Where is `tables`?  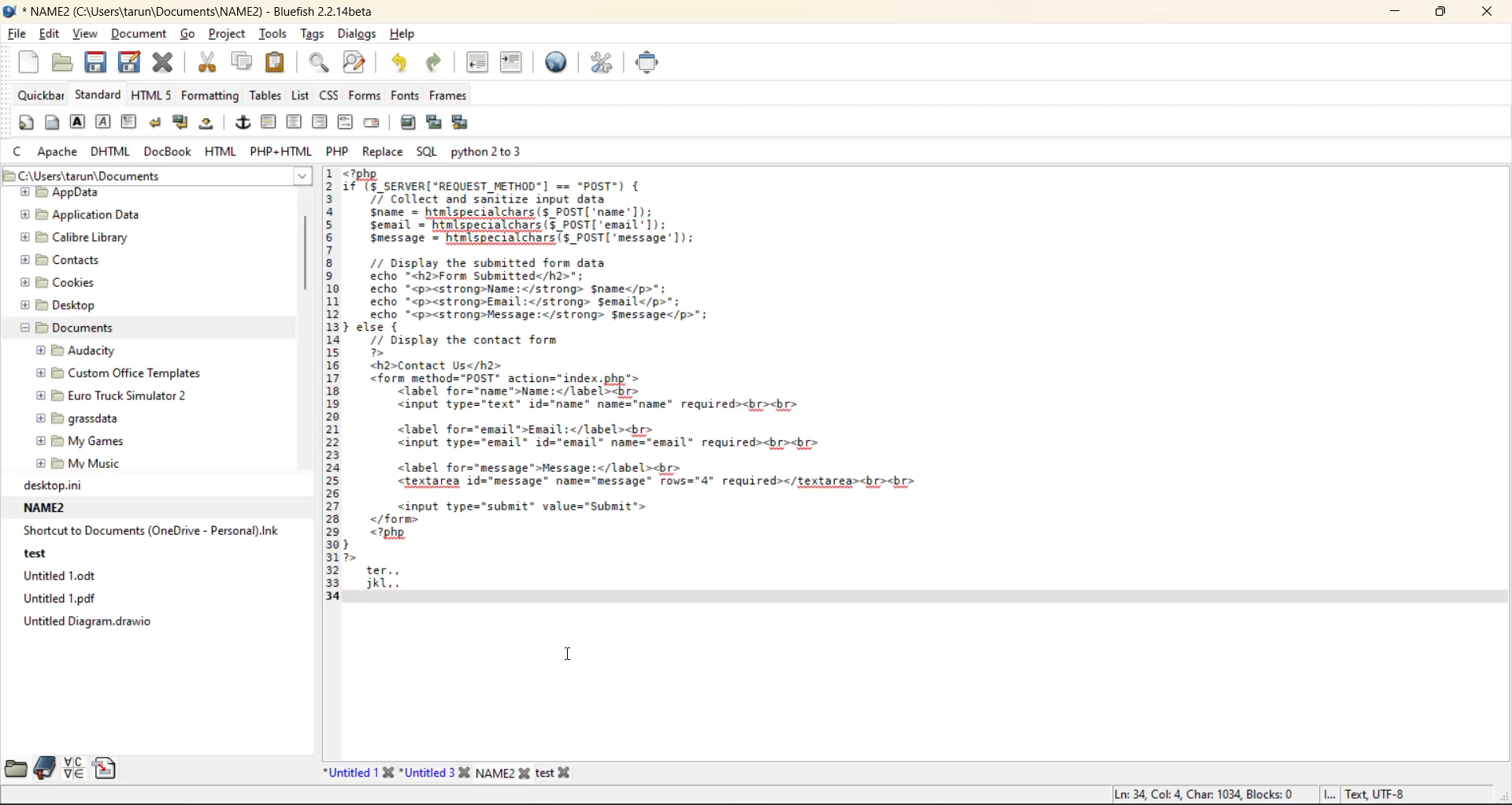
tables is located at coordinates (267, 95).